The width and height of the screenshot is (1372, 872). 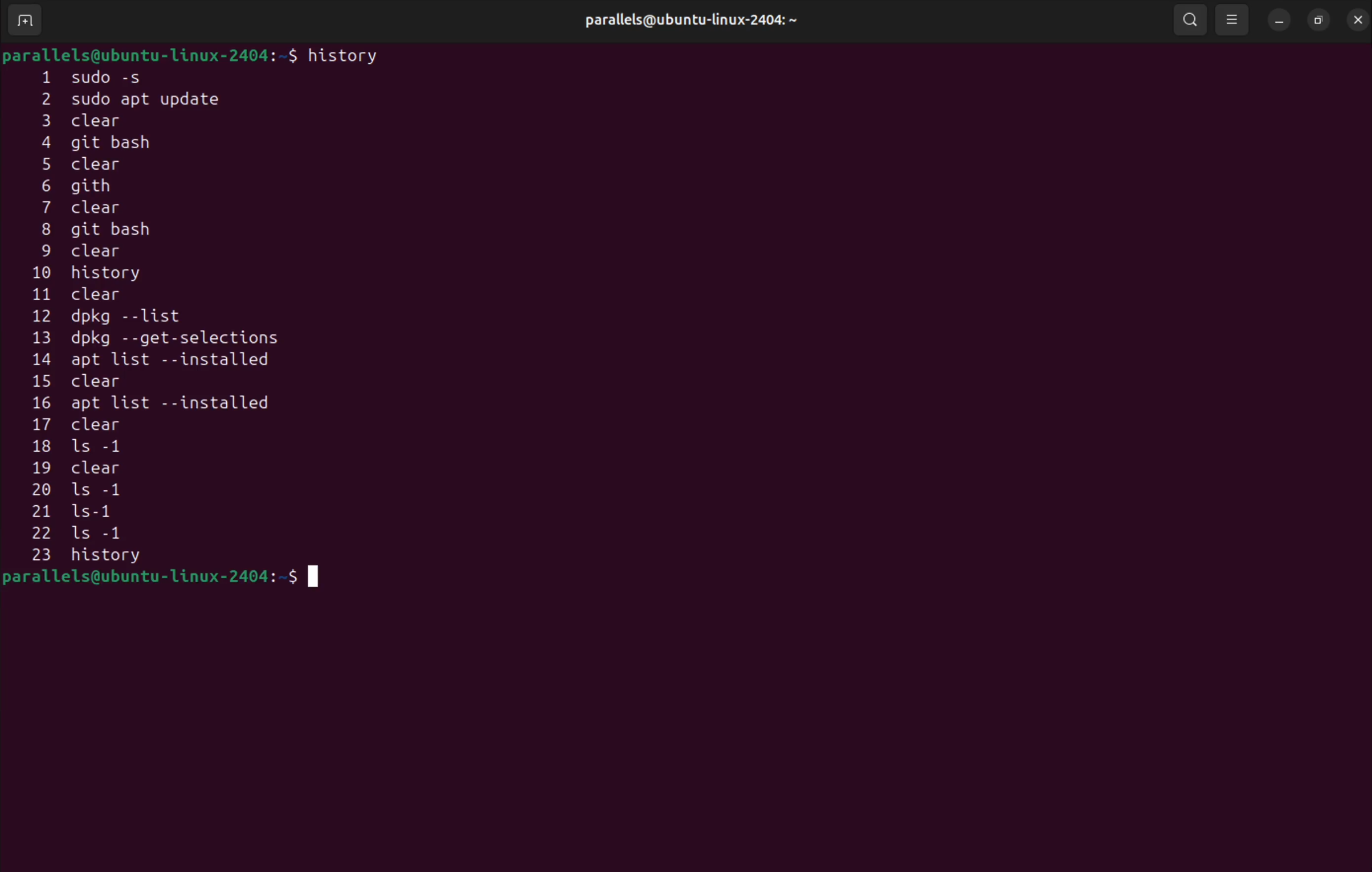 What do you see at coordinates (1279, 18) in the screenshot?
I see `minimize` at bounding box center [1279, 18].